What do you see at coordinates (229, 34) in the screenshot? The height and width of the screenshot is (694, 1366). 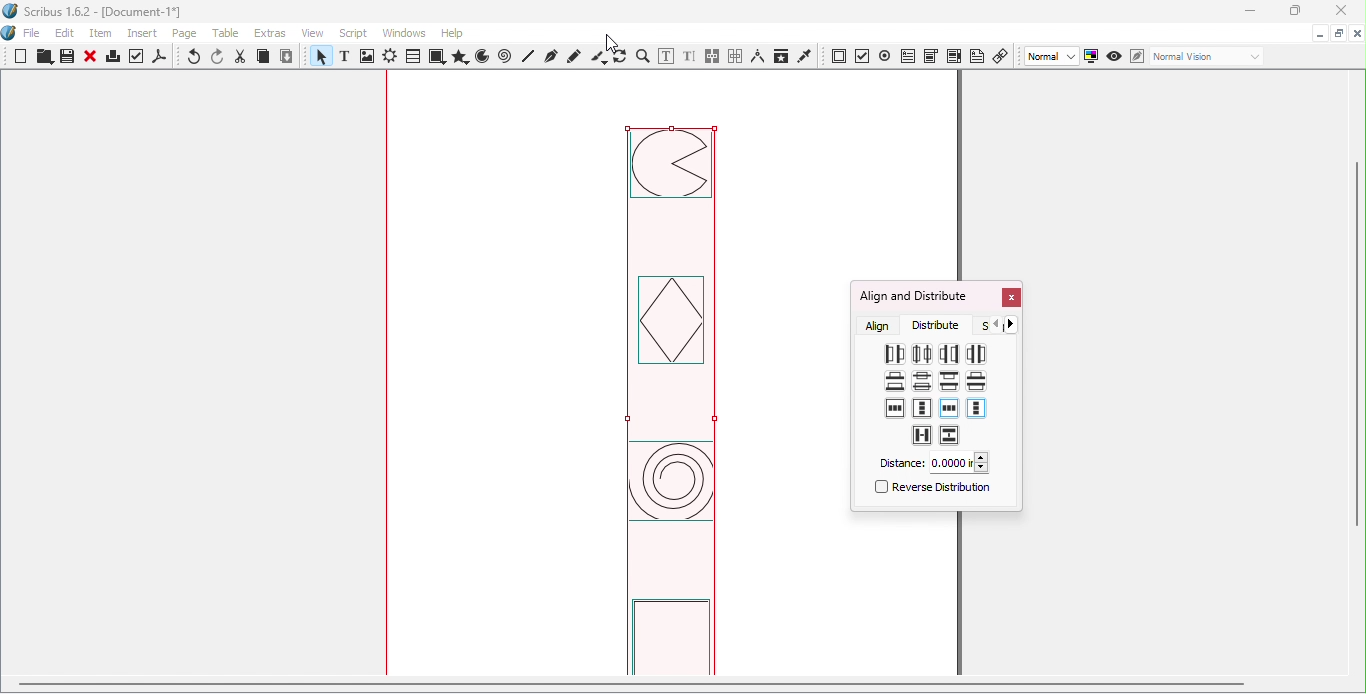 I see `Table` at bounding box center [229, 34].